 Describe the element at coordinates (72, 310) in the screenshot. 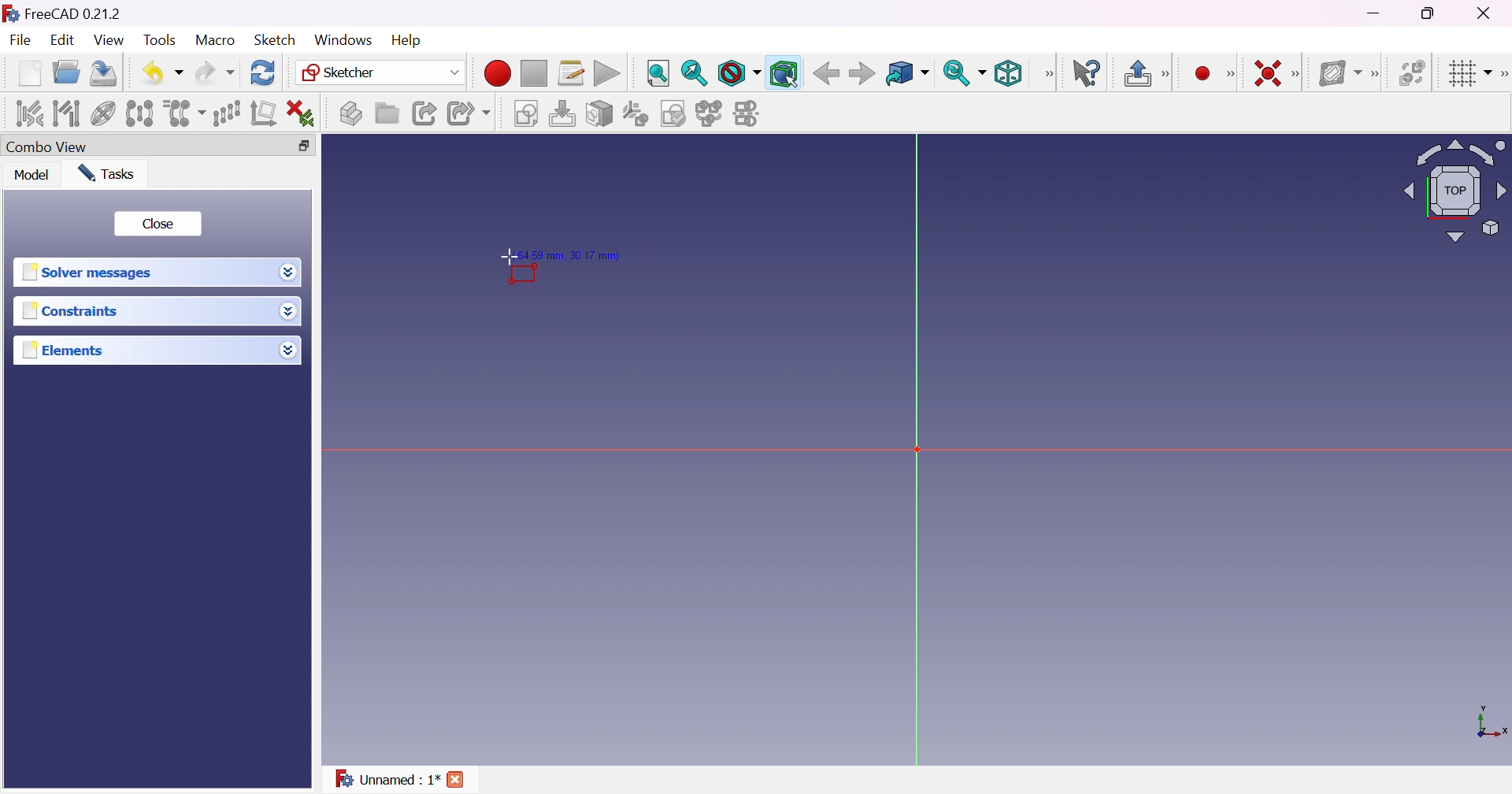

I see `Constraints` at that location.